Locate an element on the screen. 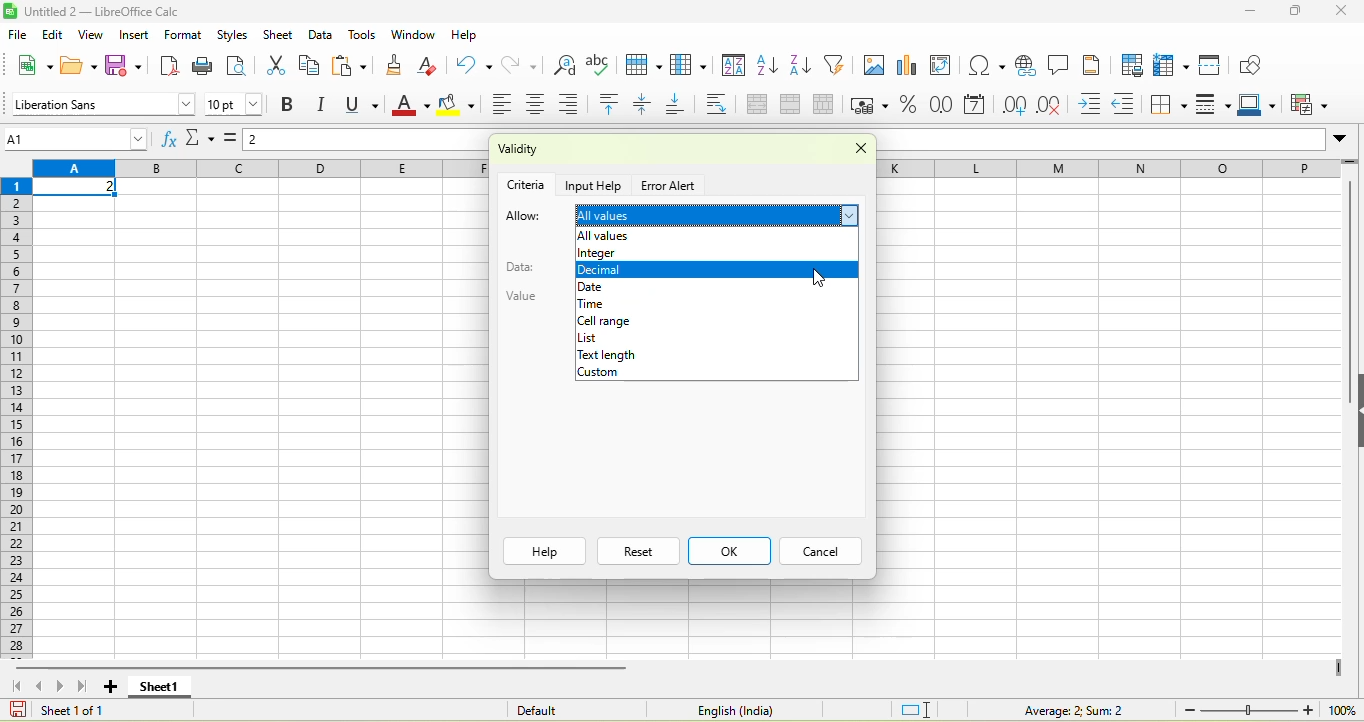 This screenshot has height=722, width=1364. clear directly formatting is located at coordinates (432, 66).